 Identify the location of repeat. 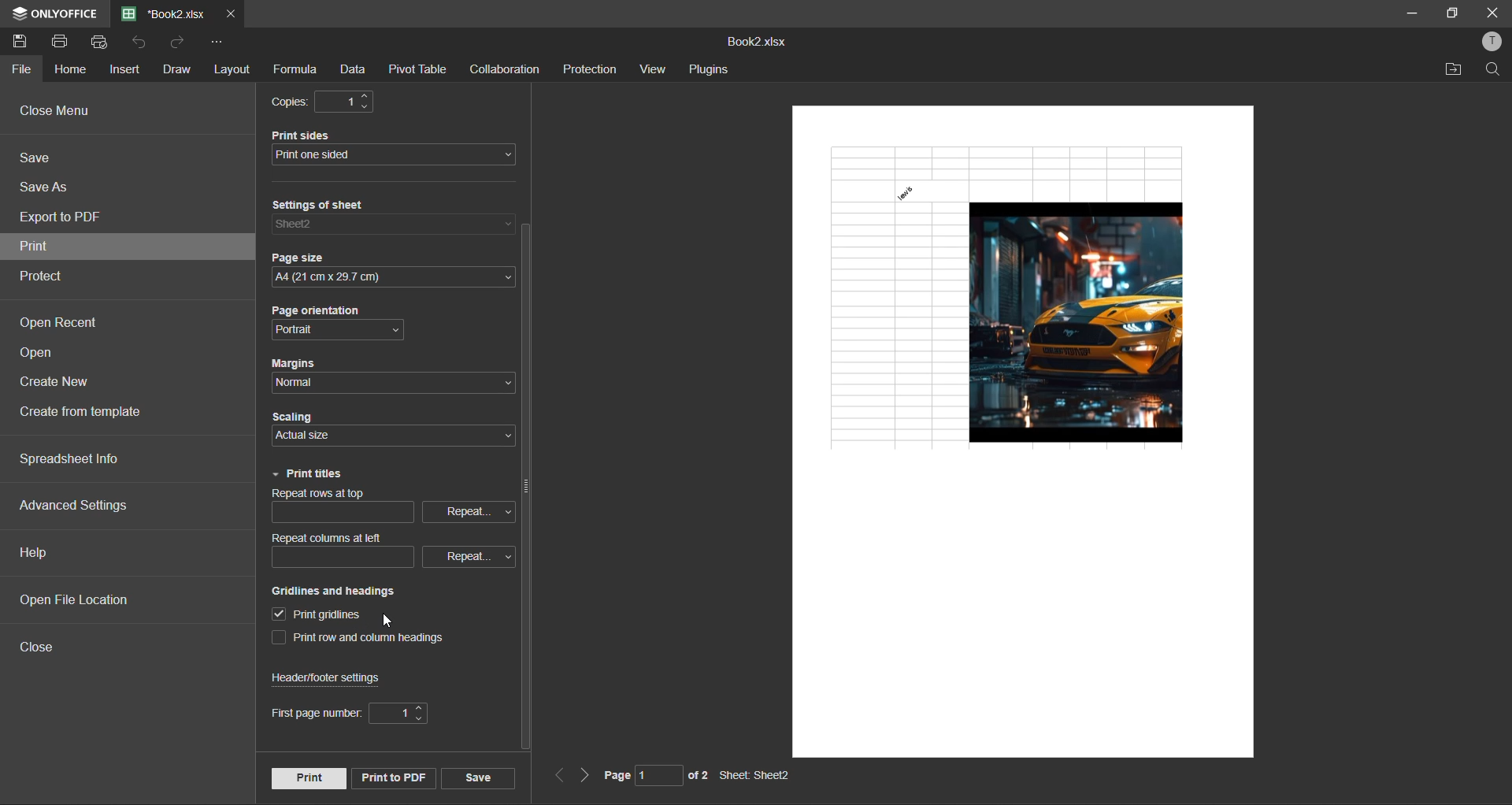
(467, 510).